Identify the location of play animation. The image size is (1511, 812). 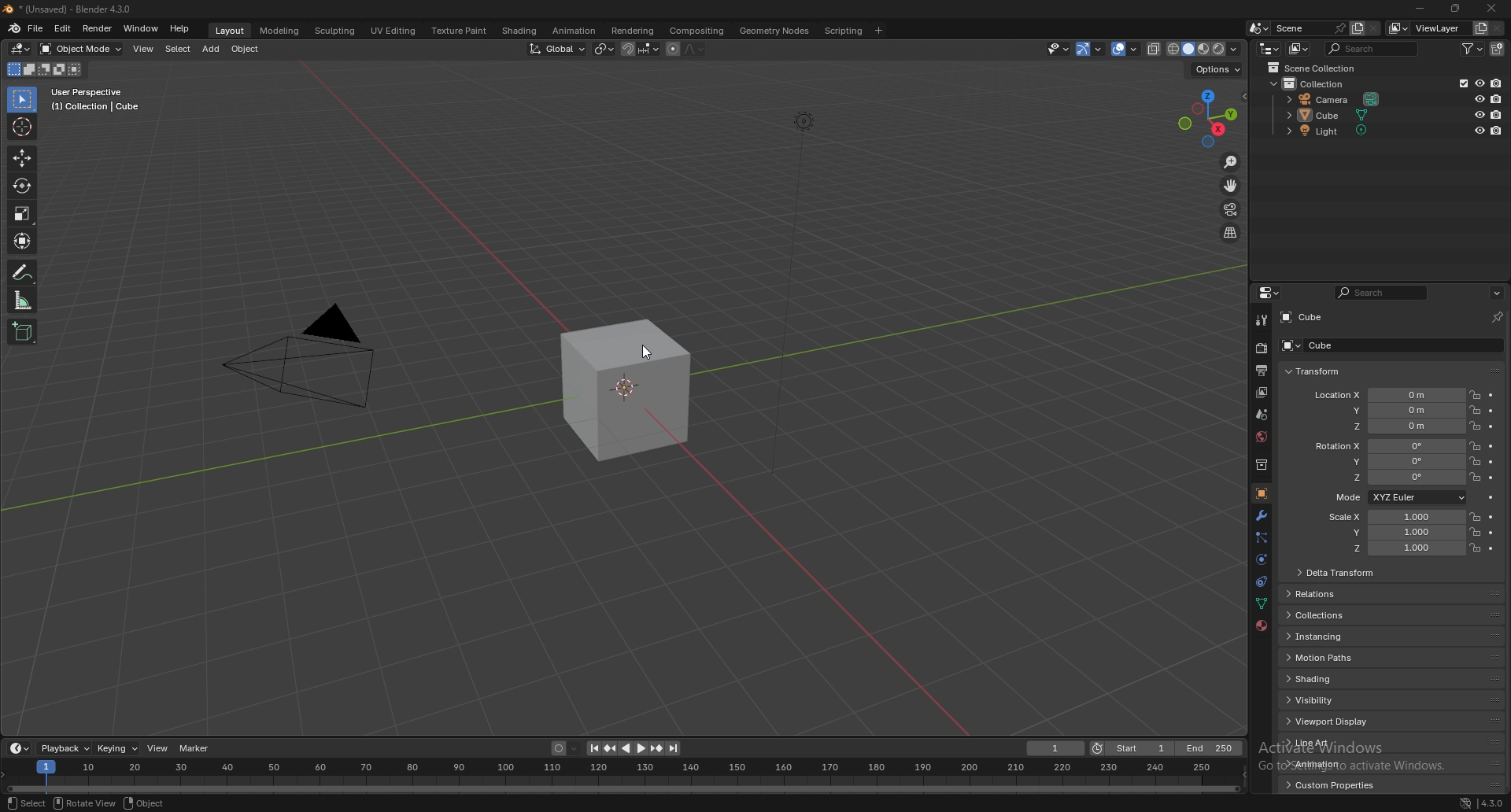
(634, 749).